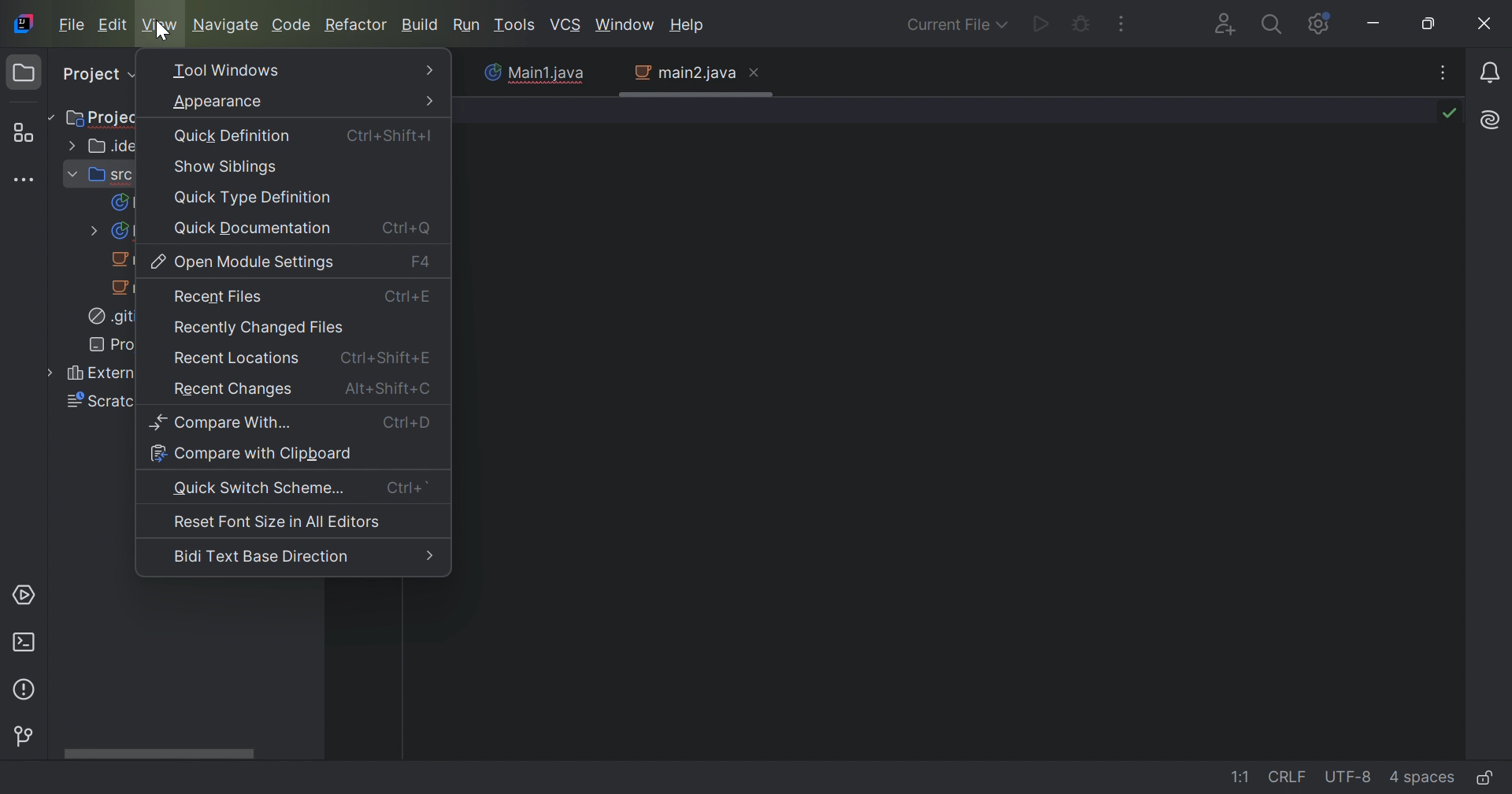 This screenshot has height=794, width=1512. Describe the element at coordinates (1122, 23) in the screenshot. I see `More actions` at that location.